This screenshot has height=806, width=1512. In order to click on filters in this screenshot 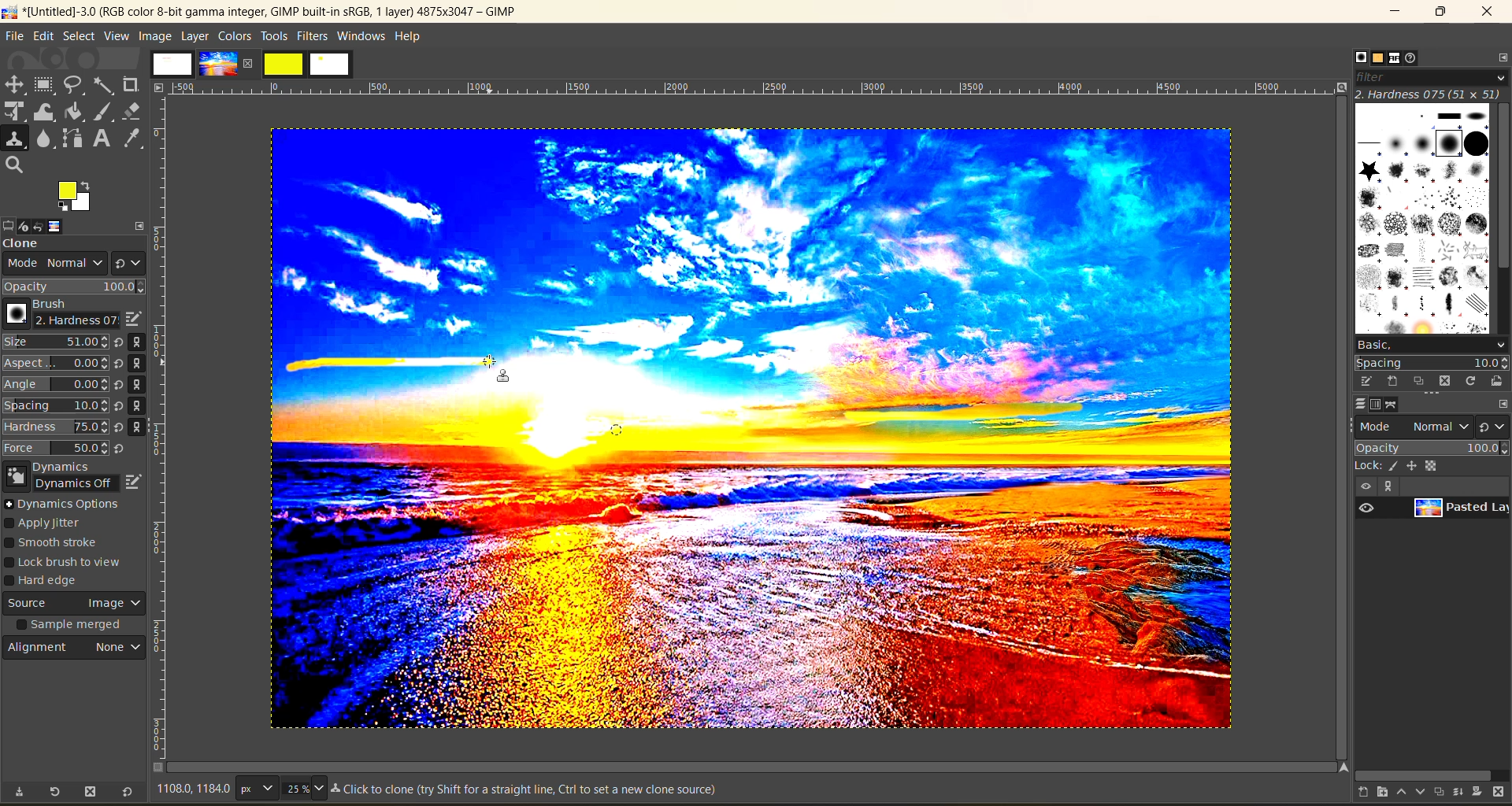, I will do `click(314, 35)`.